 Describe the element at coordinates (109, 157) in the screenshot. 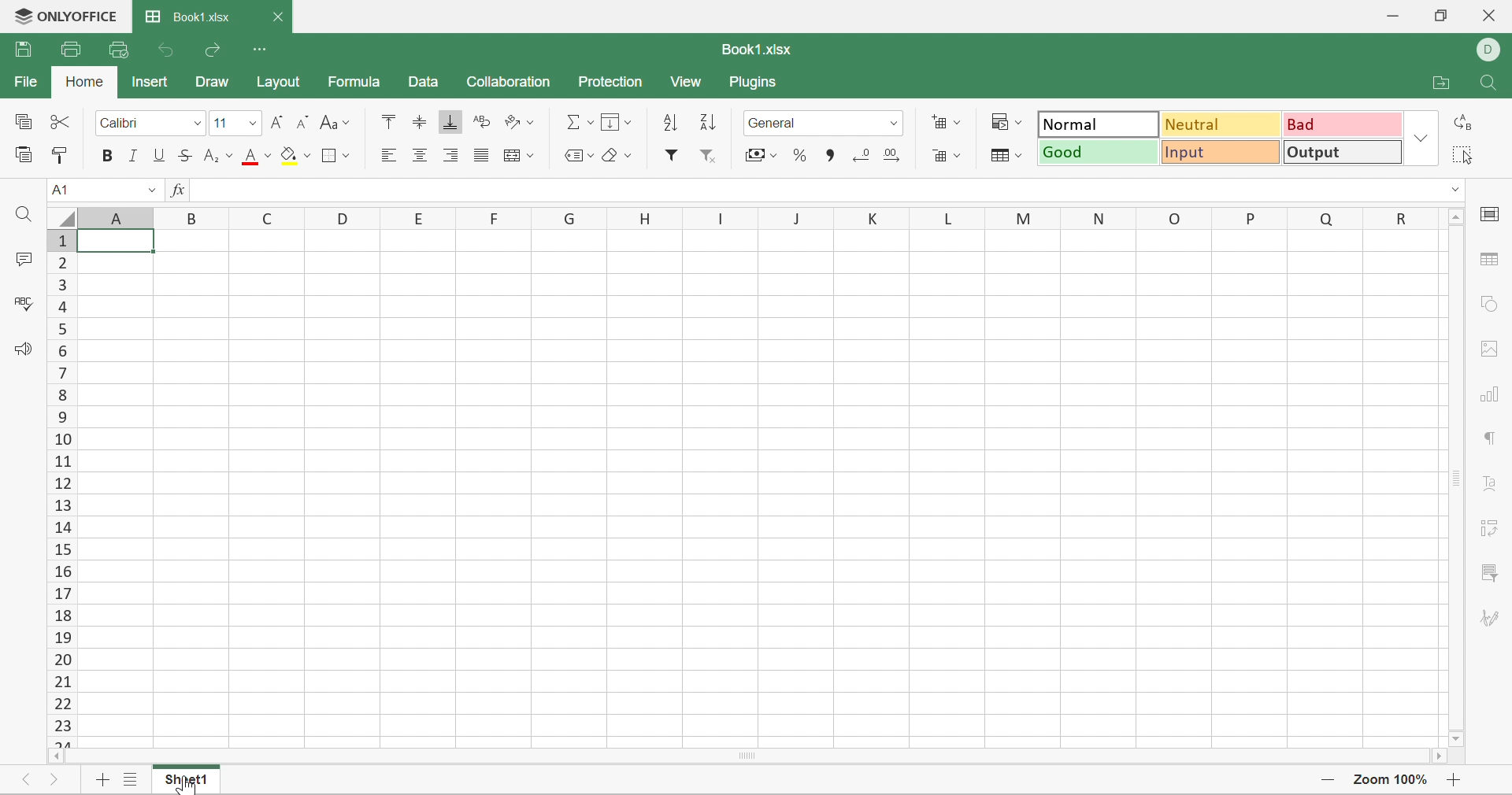

I see `bold` at that location.